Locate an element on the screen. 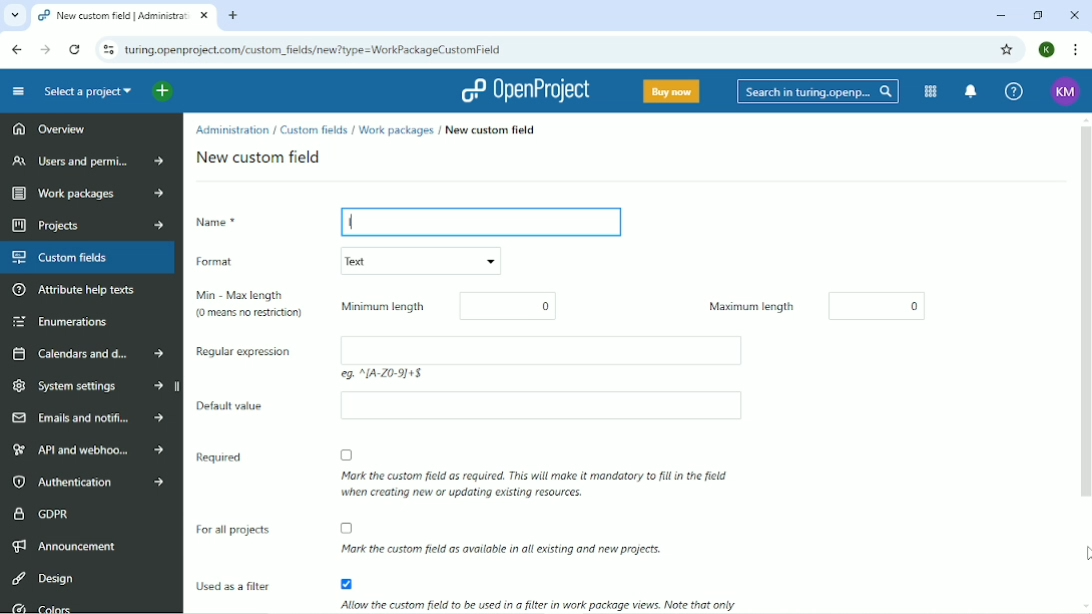  Format is located at coordinates (251, 262).